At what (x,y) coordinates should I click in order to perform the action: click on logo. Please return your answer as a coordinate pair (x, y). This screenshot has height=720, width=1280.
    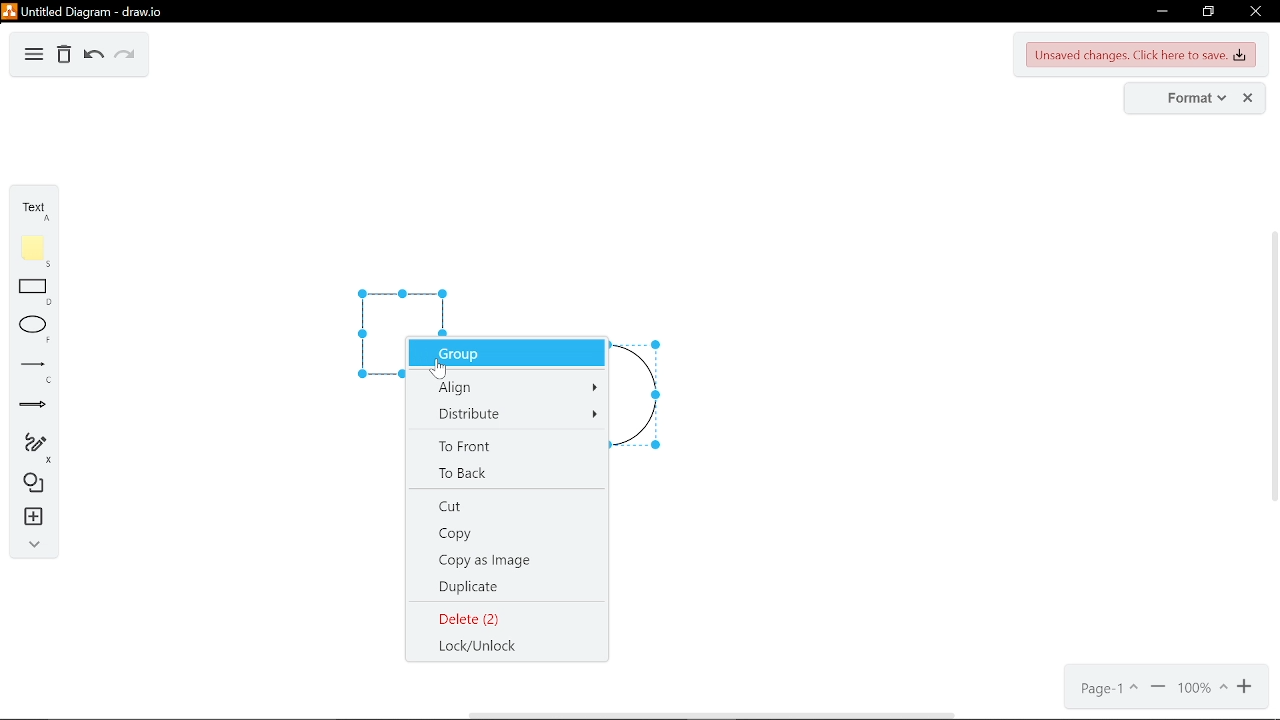
    Looking at the image, I should click on (9, 10).